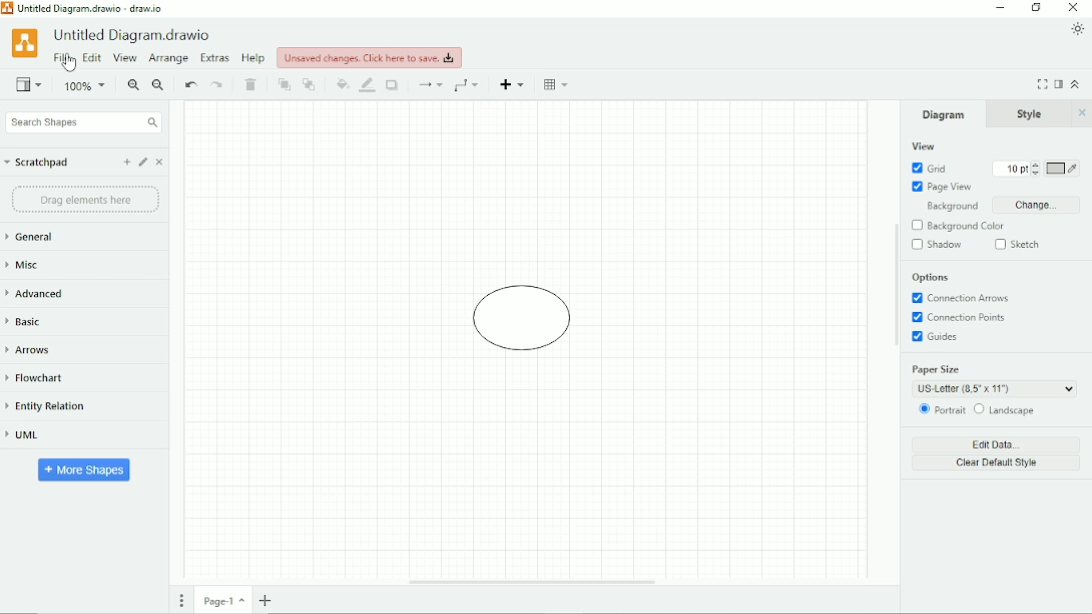 The image size is (1092, 614). What do you see at coordinates (395, 85) in the screenshot?
I see `Shadow` at bounding box center [395, 85].